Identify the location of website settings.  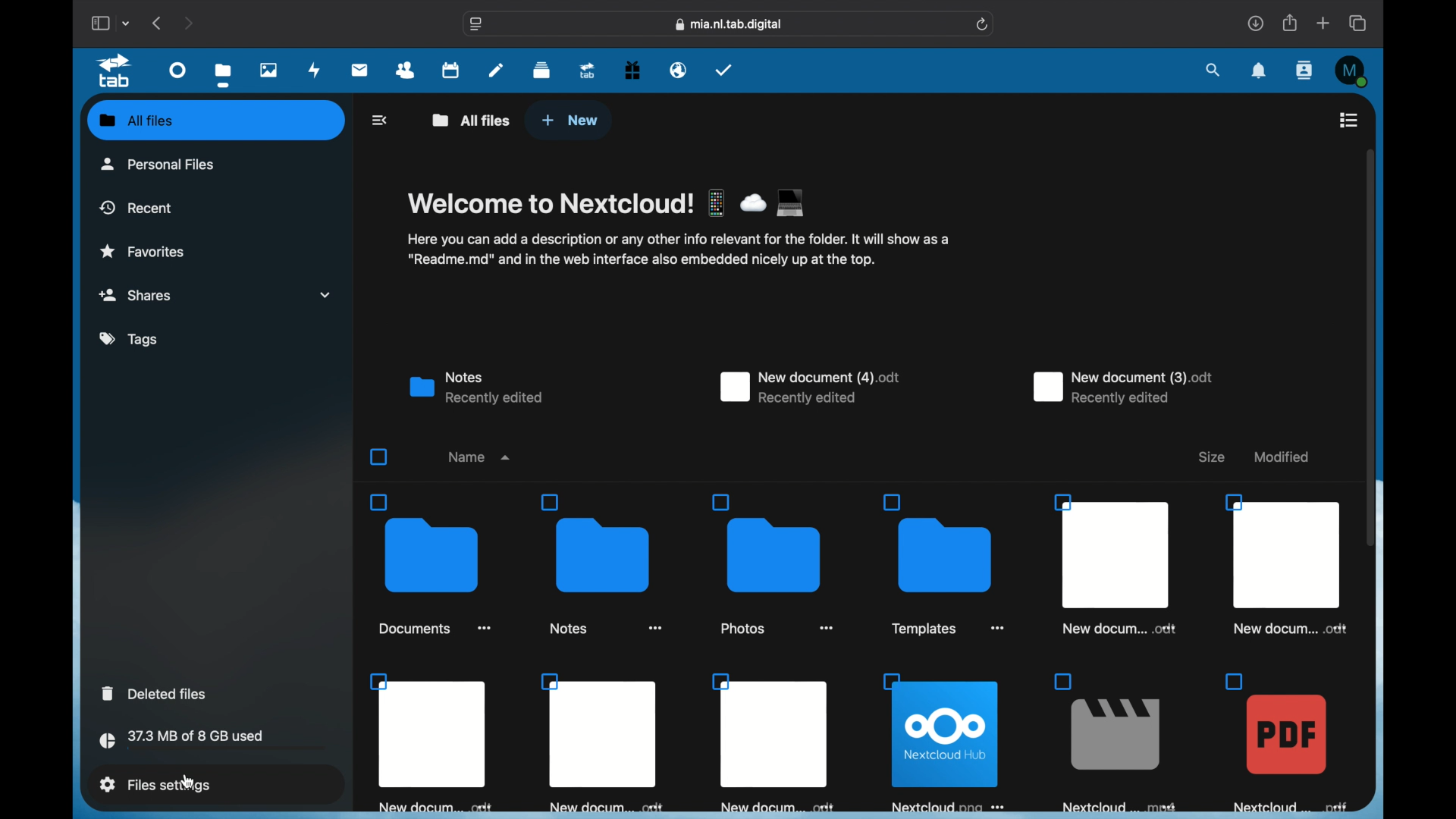
(477, 23).